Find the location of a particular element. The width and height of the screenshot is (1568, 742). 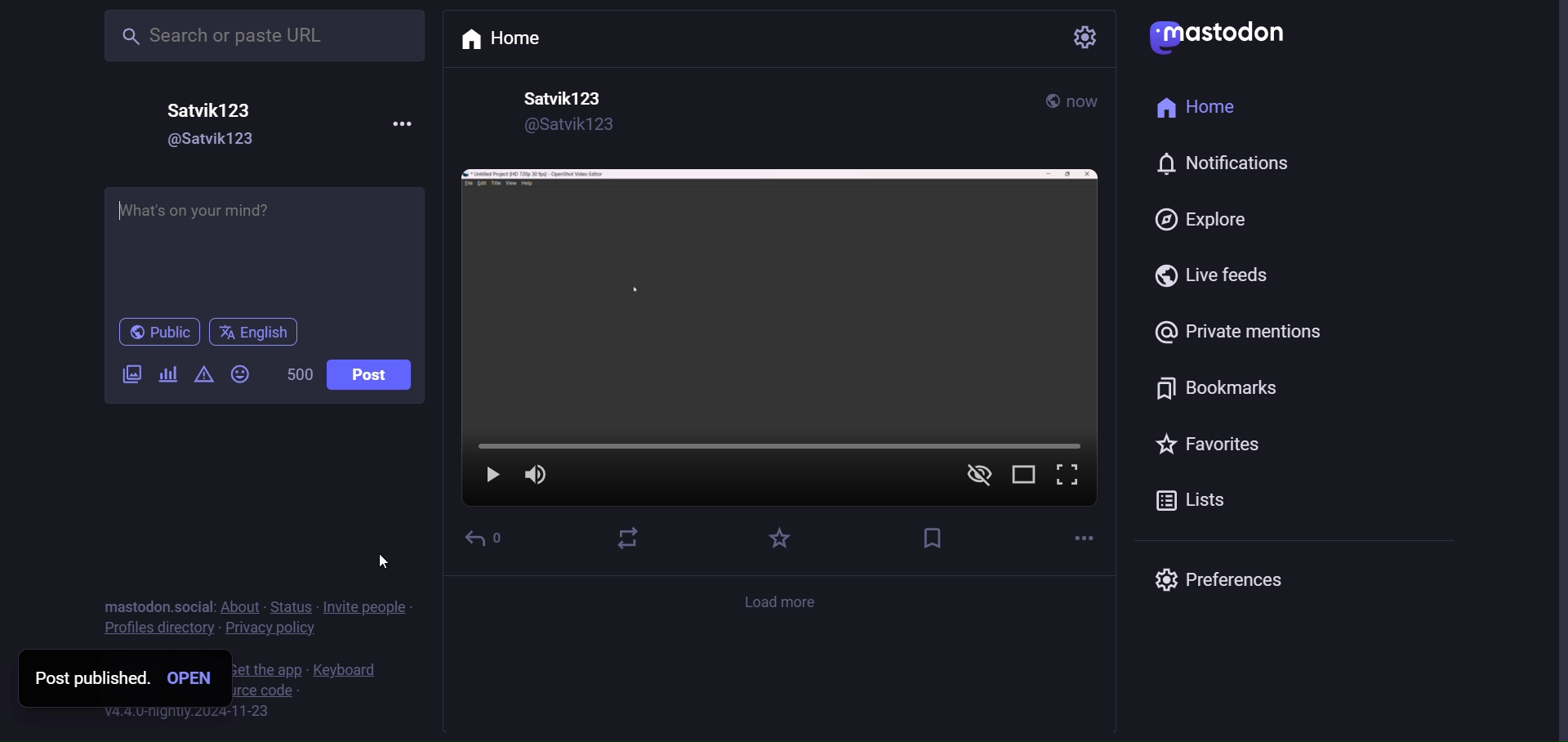

more is located at coordinates (406, 123).